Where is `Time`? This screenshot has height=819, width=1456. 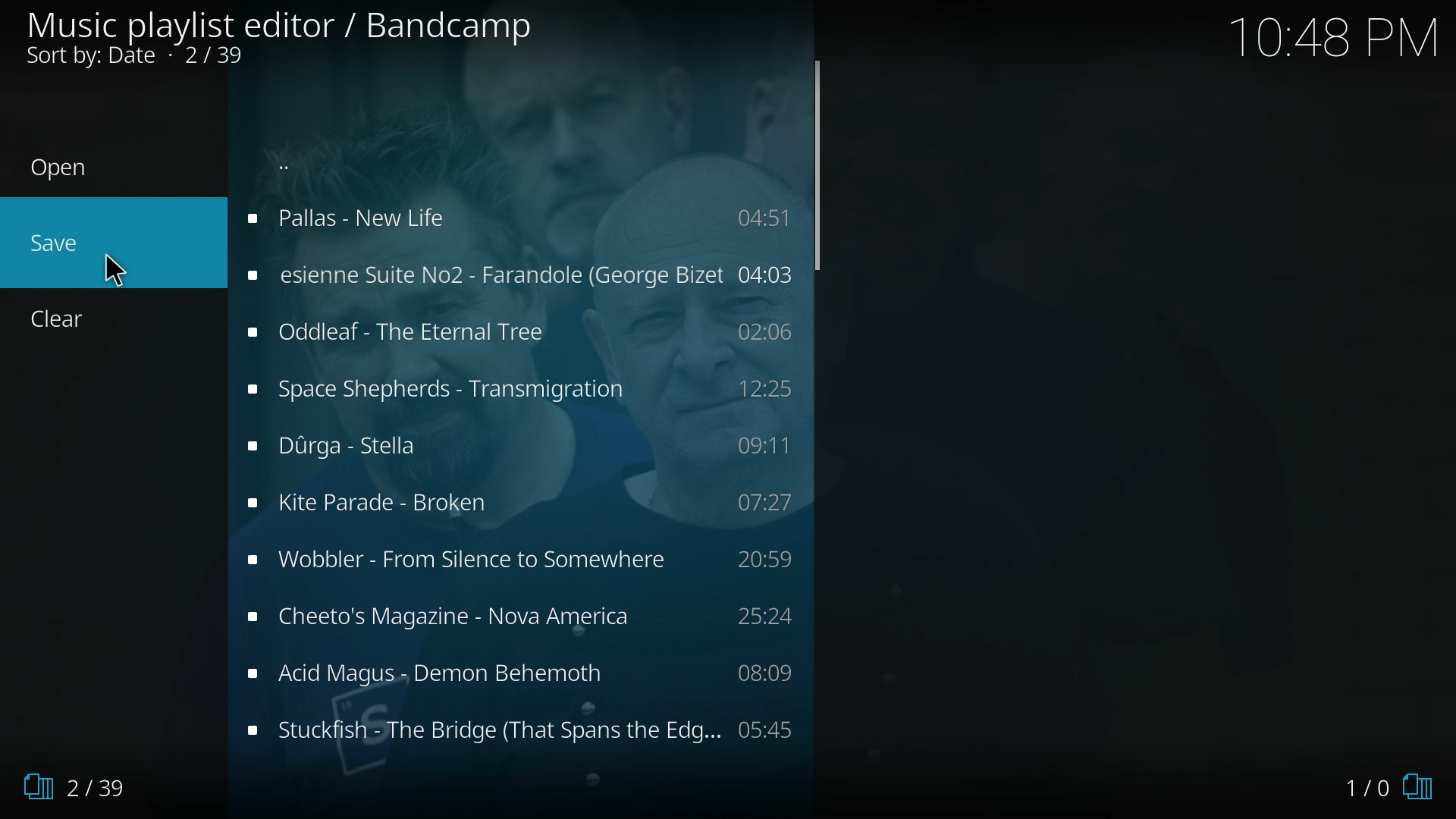 Time is located at coordinates (1334, 36).